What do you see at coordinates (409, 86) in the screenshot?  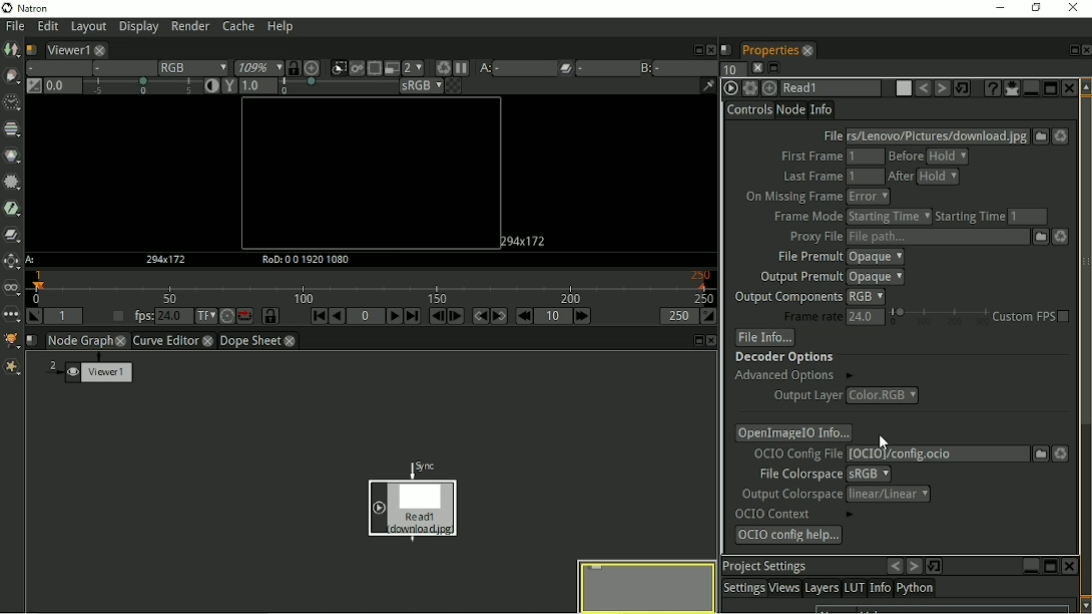 I see `sRGB` at bounding box center [409, 86].